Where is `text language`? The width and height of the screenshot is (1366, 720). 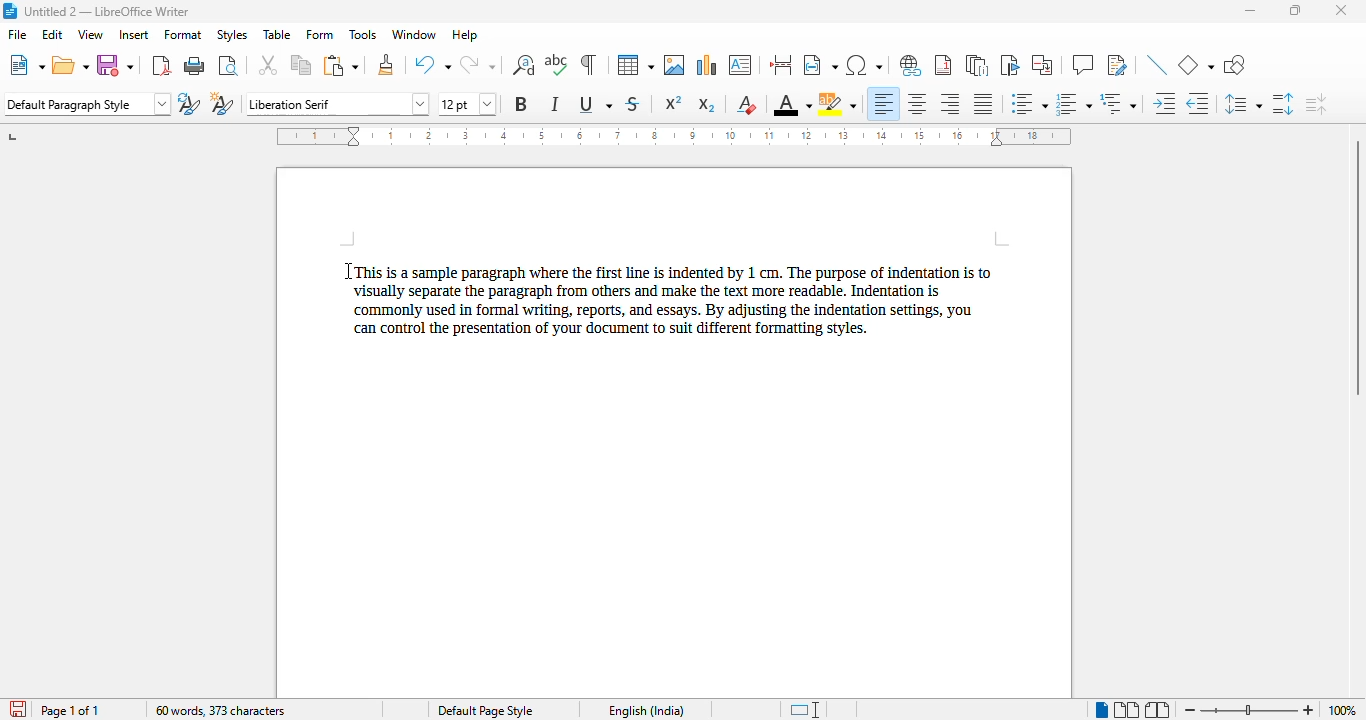 text language is located at coordinates (645, 710).